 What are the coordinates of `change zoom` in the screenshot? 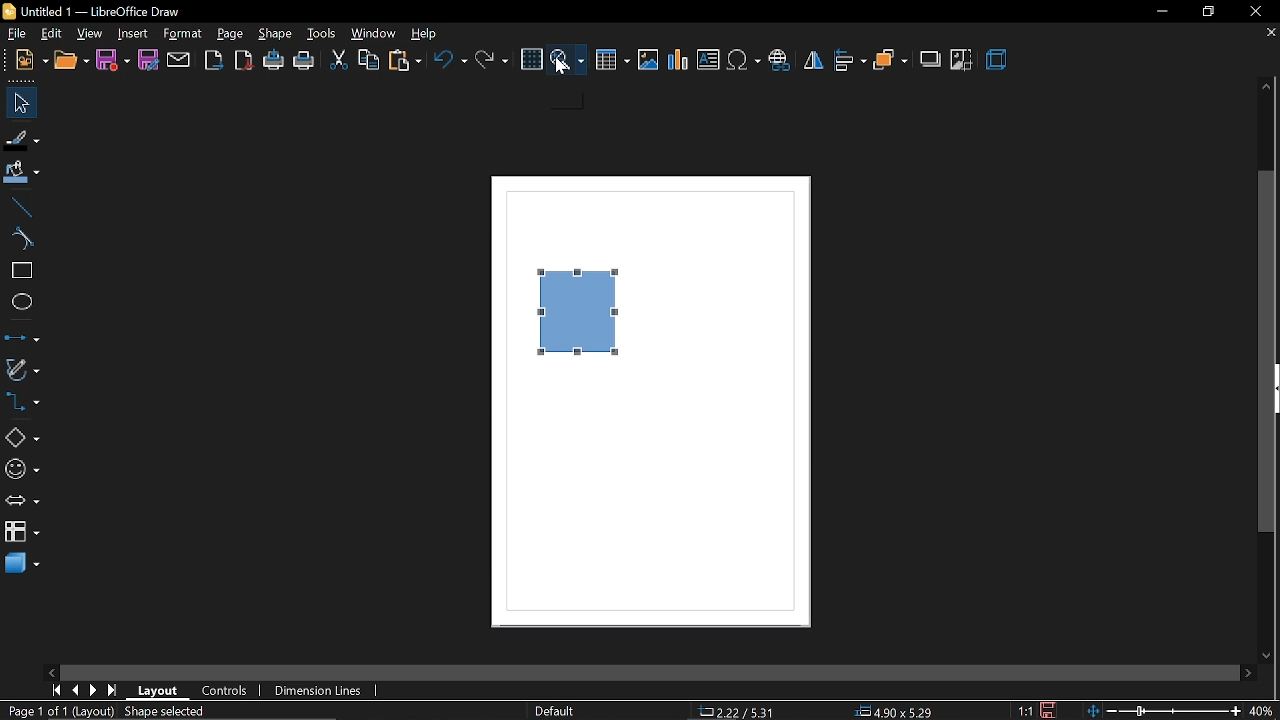 It's located at (1163, 712).